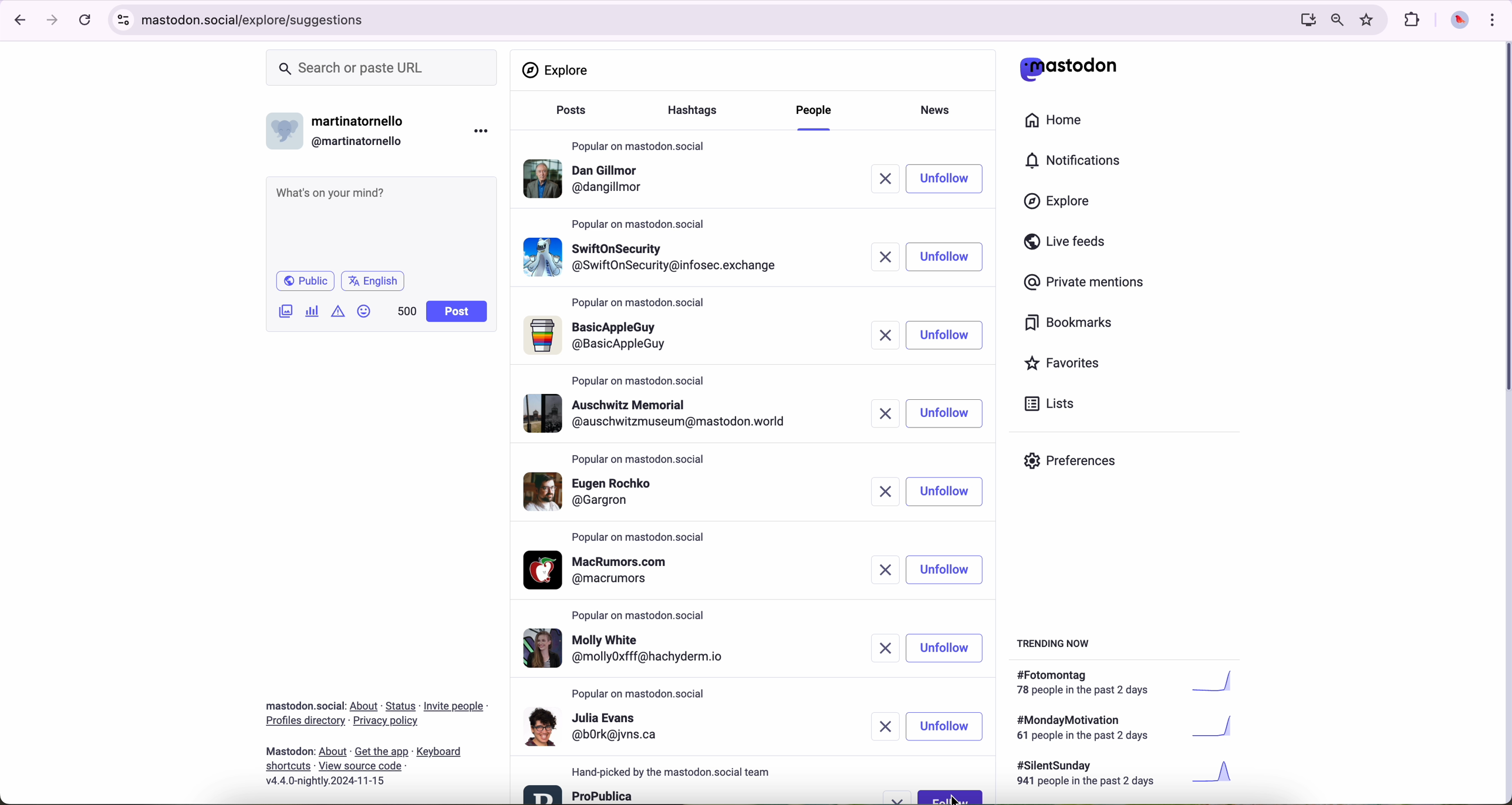  What do you see at coordinates (1336, 19) in the screenshot?
I see `zoom out` at bounding box center [1336, 19].